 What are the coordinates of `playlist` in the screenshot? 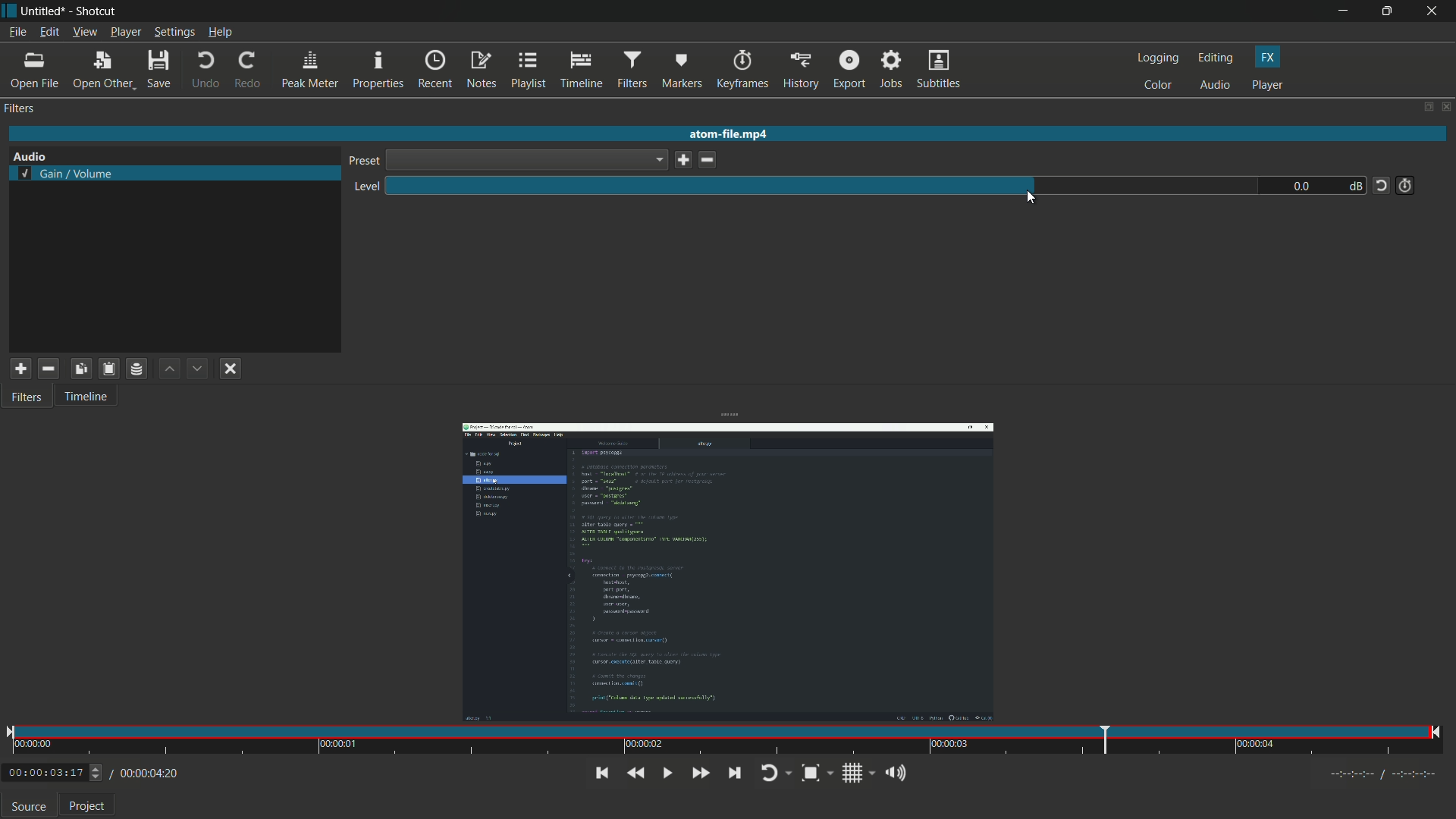 It's located at (529, 70).